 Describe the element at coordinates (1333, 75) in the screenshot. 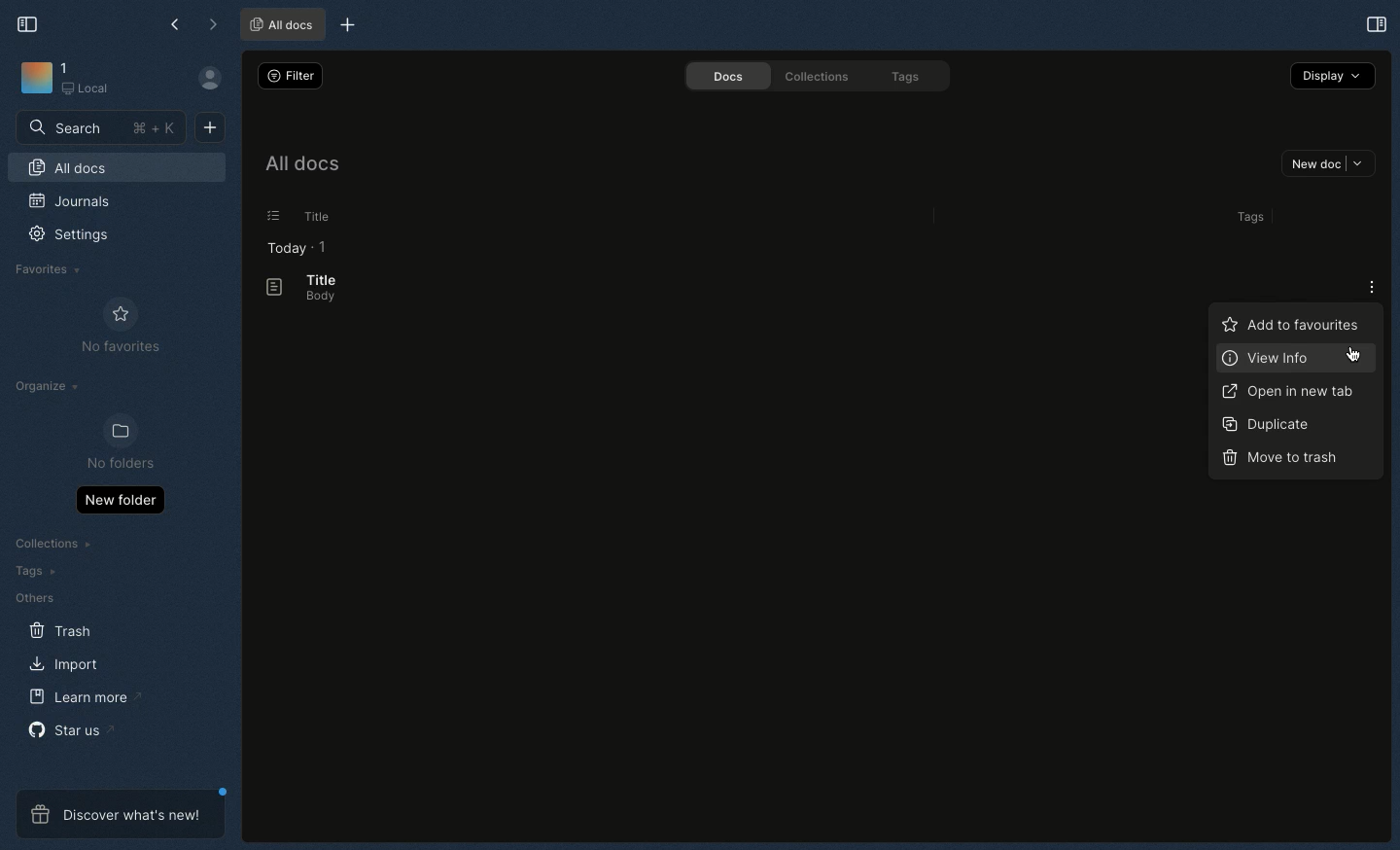

I see `Display` at that location.